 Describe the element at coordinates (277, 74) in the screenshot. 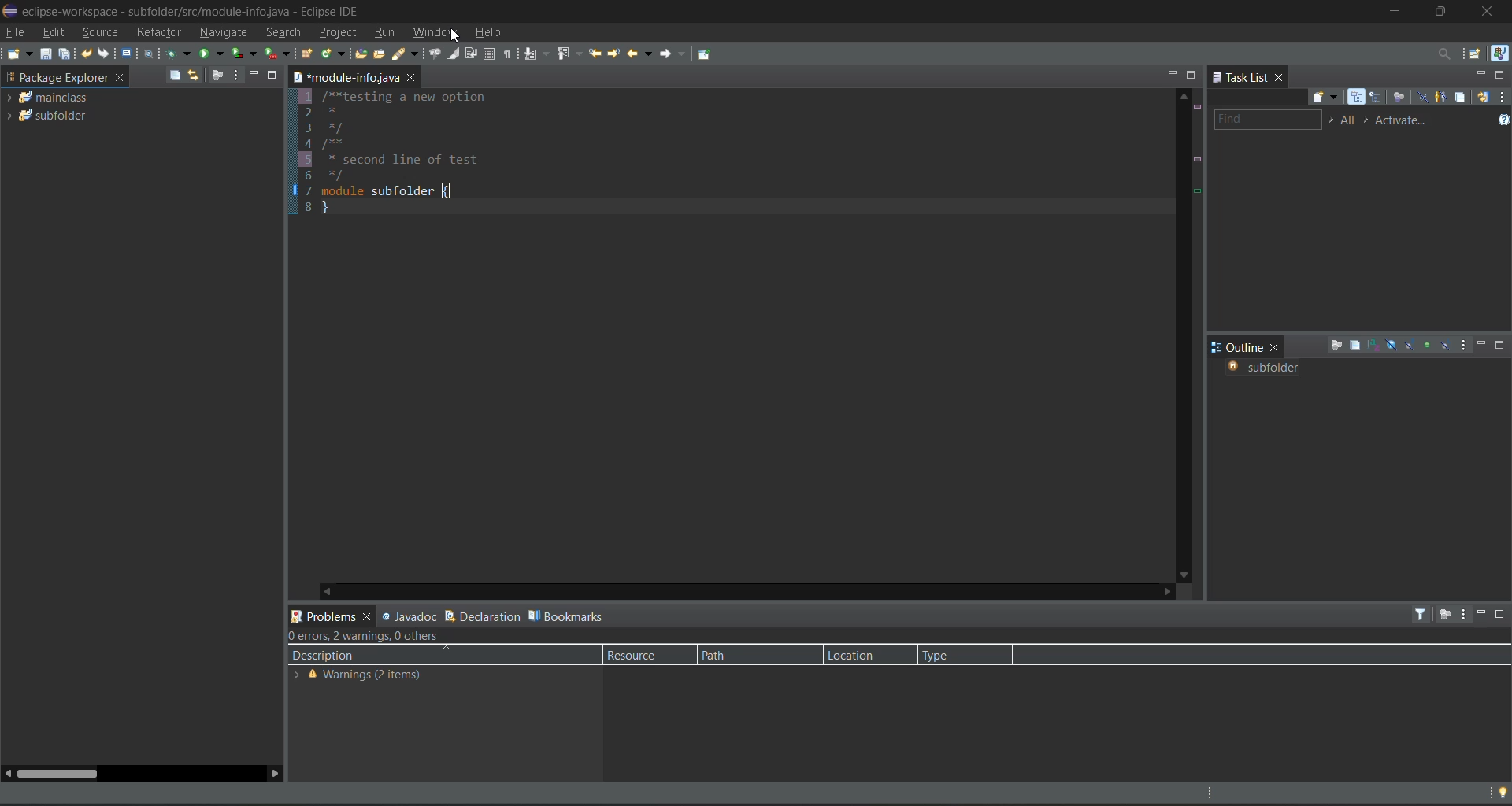

I see `maximize` at that location.